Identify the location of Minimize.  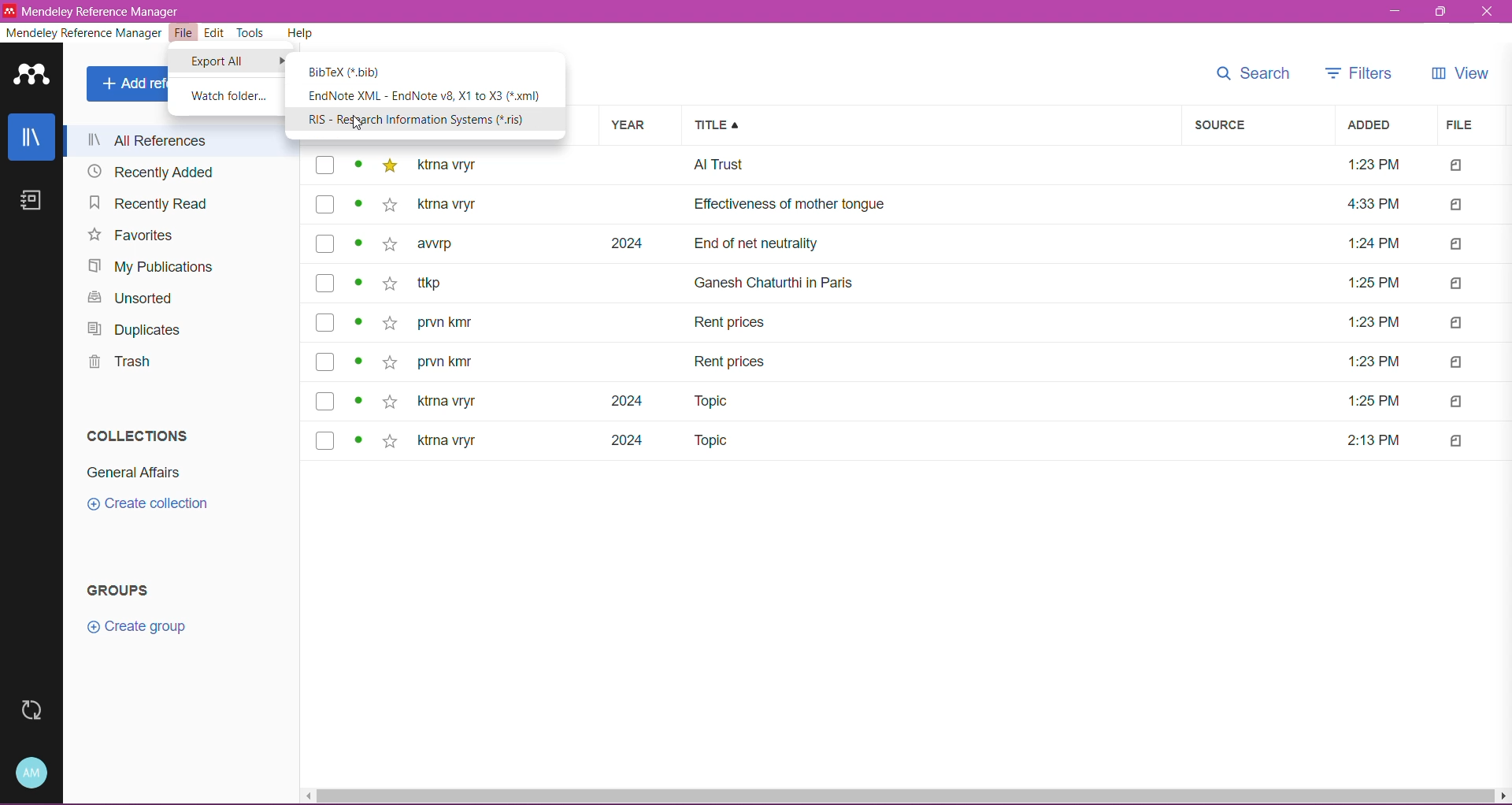
(1399, 12).